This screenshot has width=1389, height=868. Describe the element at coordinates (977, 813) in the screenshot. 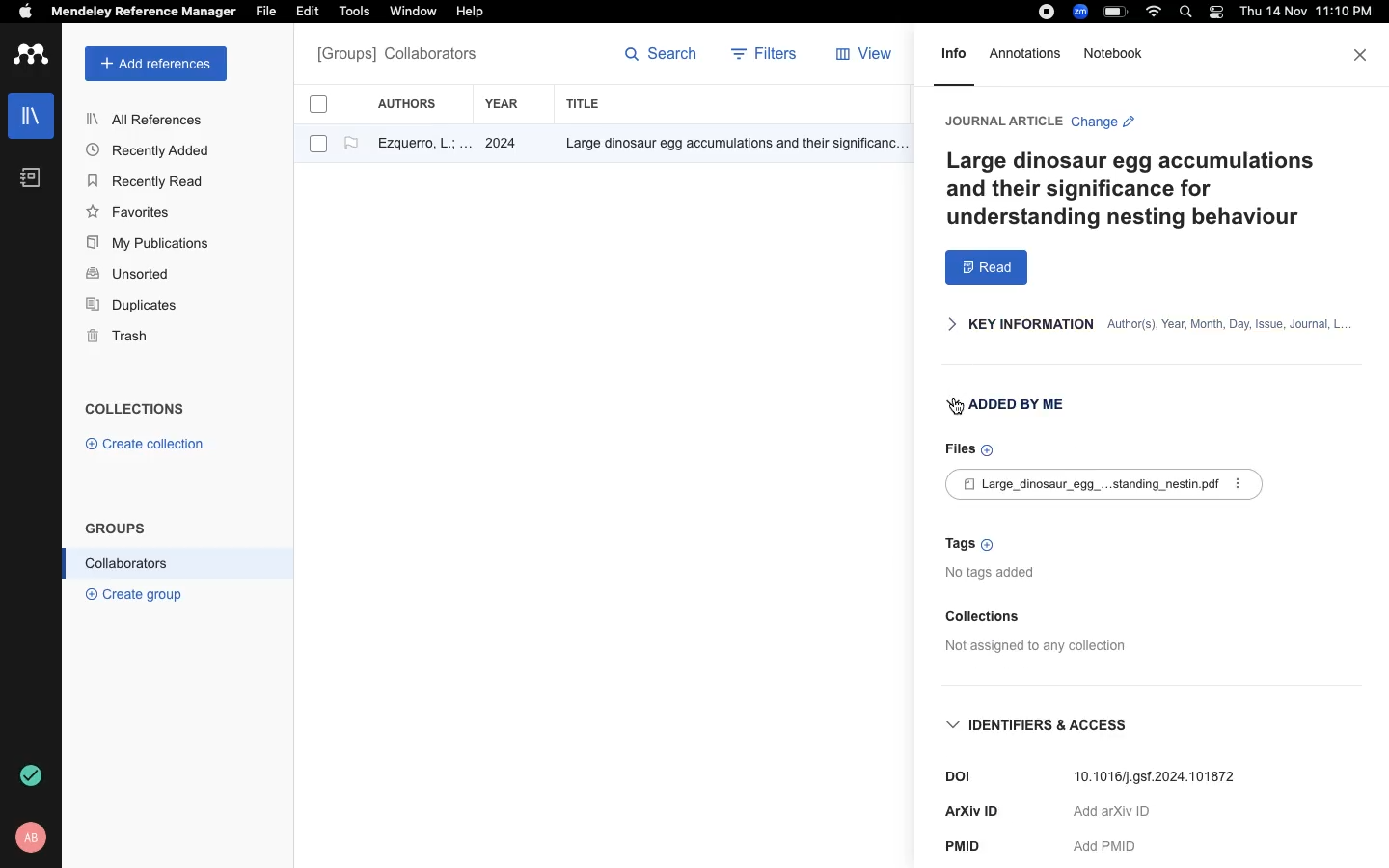

I see `ArXiv ID` at that location.